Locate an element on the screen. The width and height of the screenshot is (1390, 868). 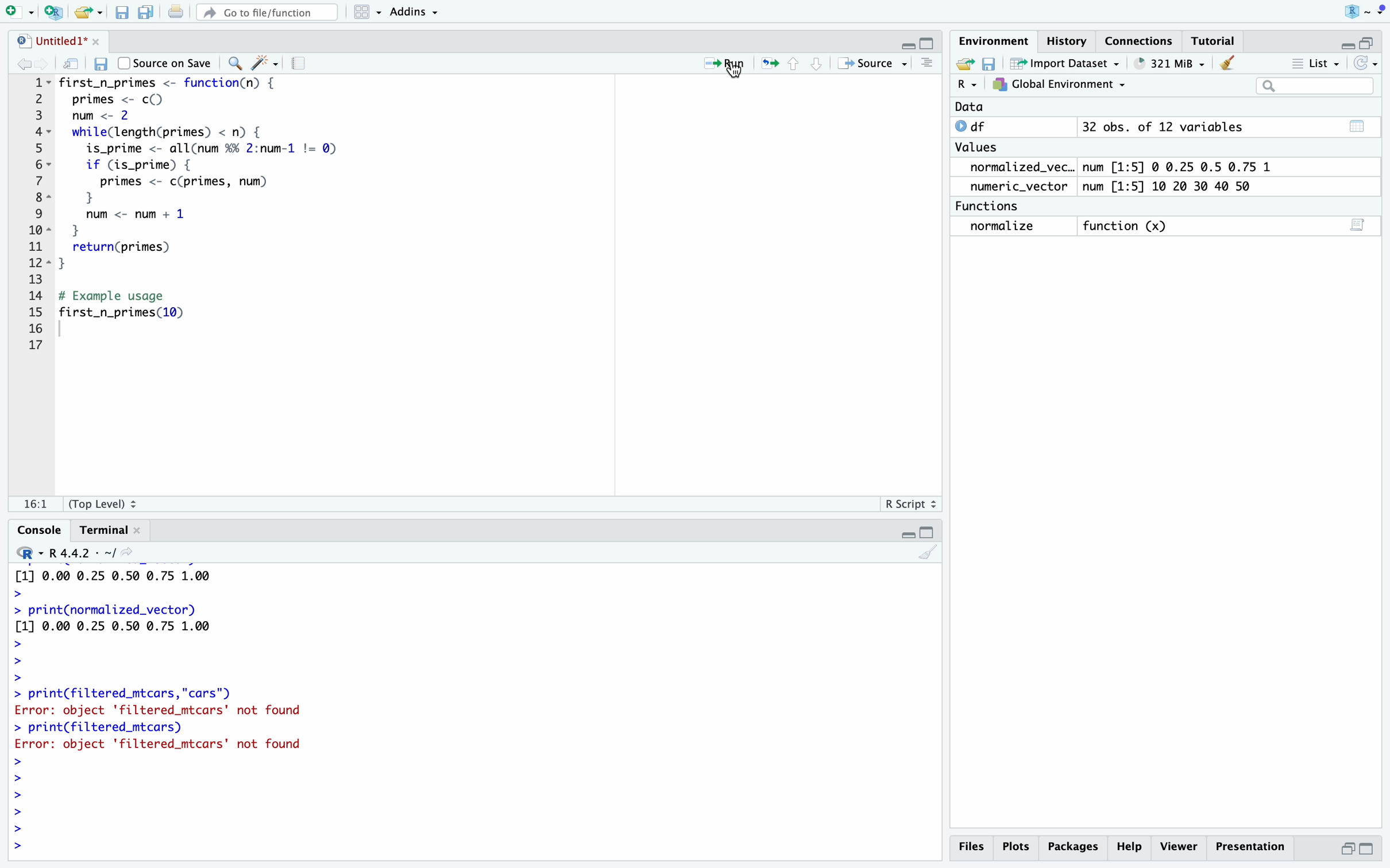
7} Global Environment ~ is located at coordinates (1062, 84).